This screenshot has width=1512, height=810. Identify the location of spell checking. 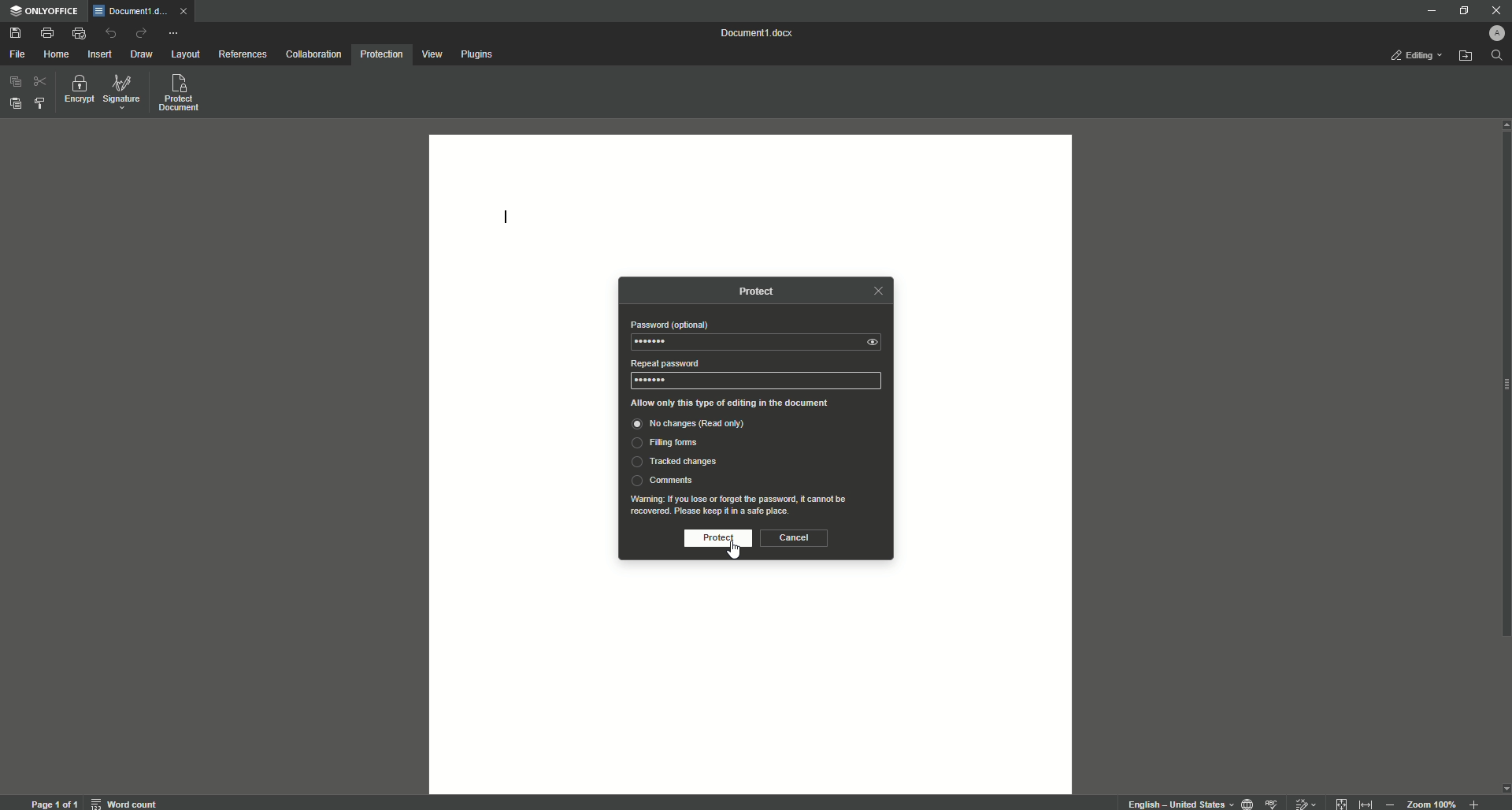
(1273, 802).